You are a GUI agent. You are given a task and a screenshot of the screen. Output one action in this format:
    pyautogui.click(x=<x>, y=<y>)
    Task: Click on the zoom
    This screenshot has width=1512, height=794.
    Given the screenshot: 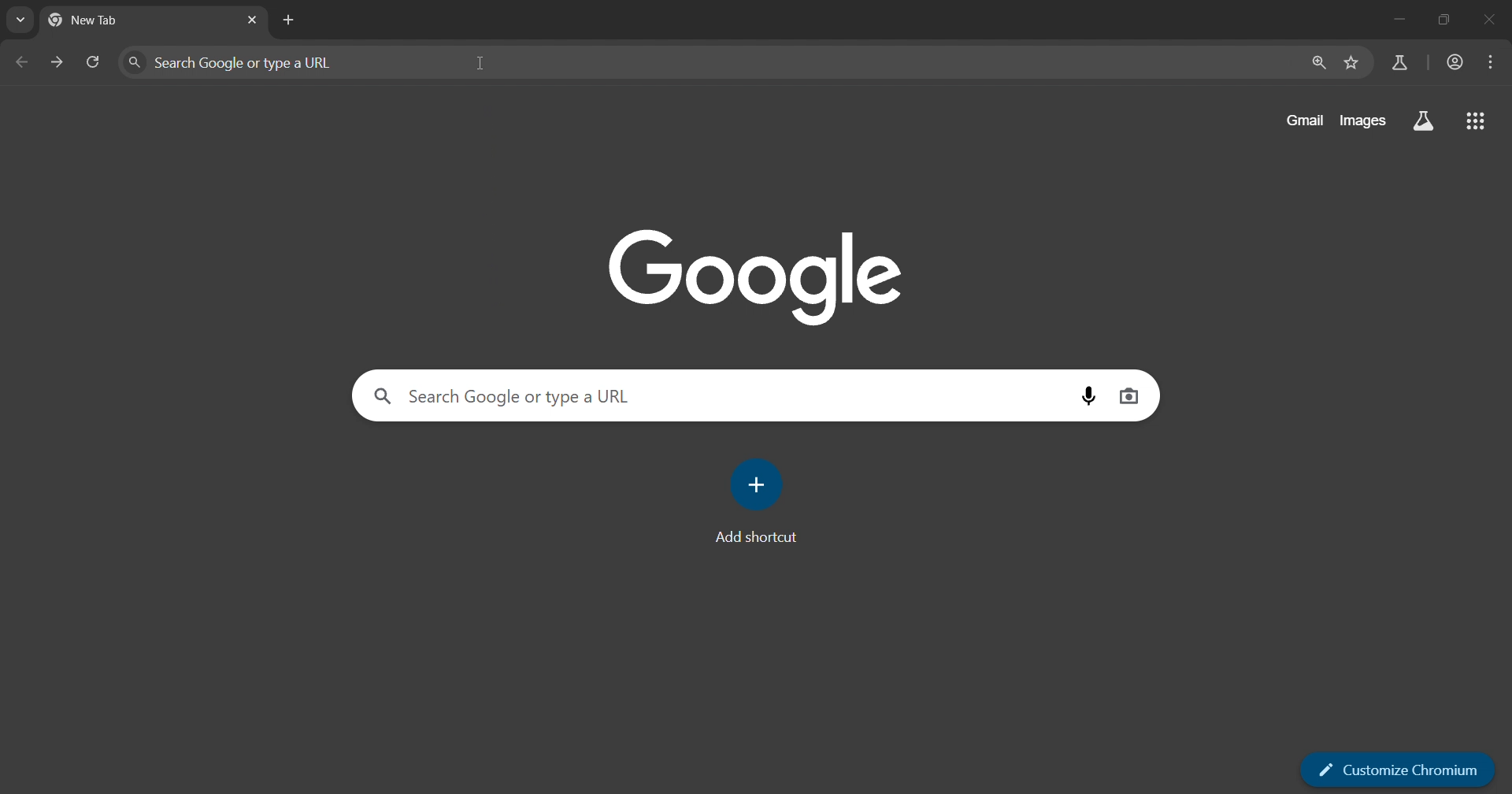 What is the action you would take?
    pyautogui.click(x=1315, y=63)
    